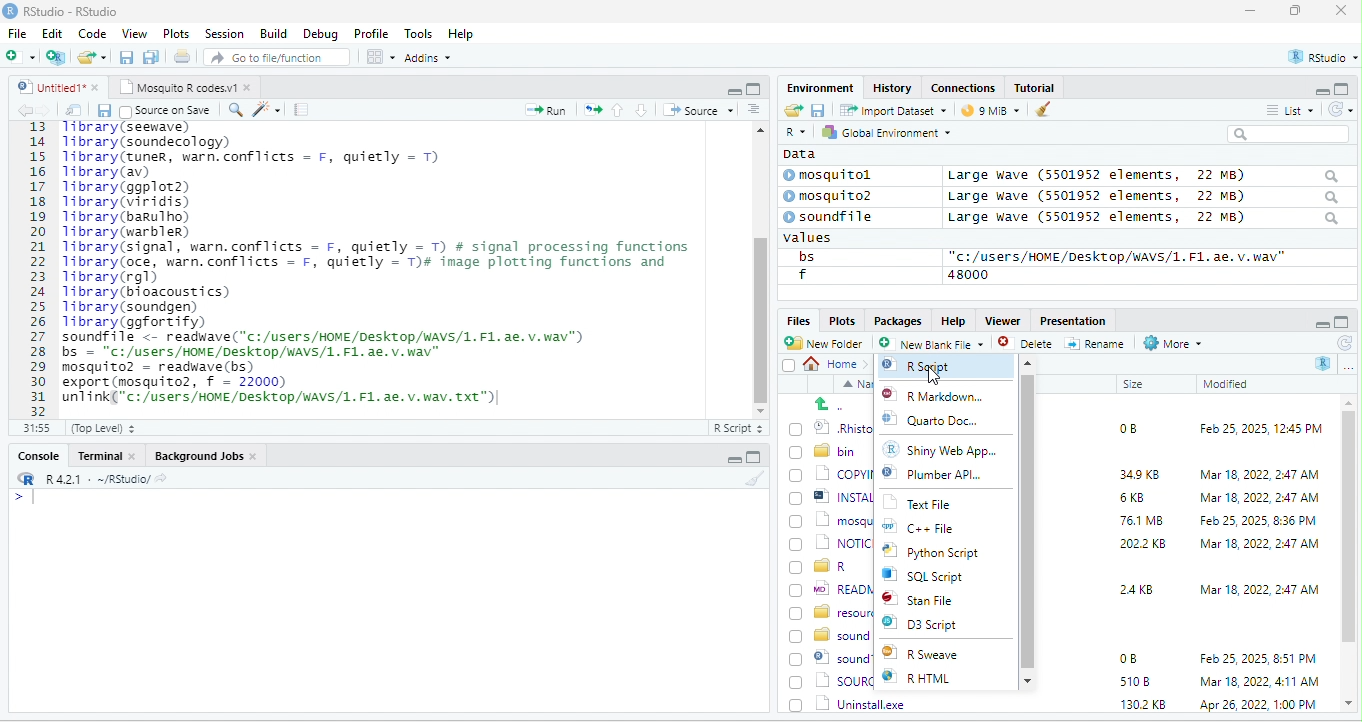 Image resolution: width=1362 pixels, height=722 pixels. What do you see at coordinates (881, 132) in the screenshot?
I see `hy Global Environment ~` at bounding box center [881, 132].